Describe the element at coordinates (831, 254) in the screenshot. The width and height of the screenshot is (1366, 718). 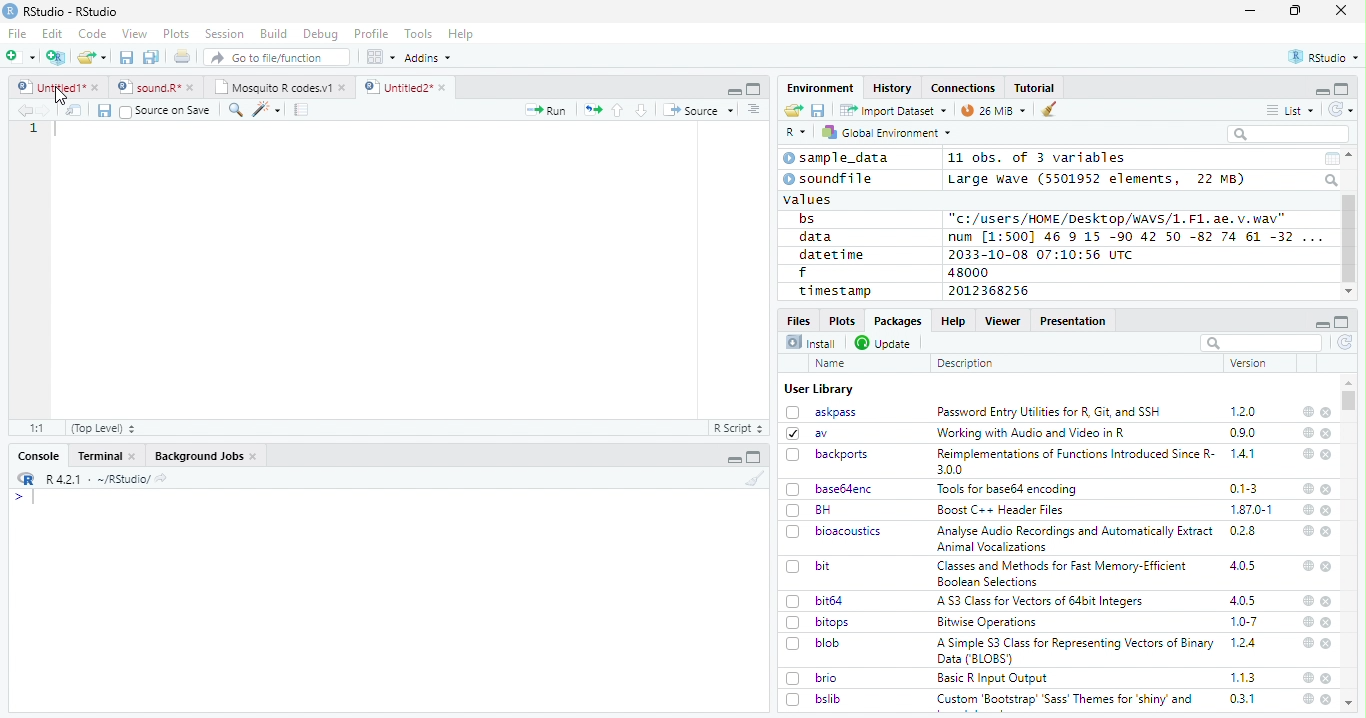
I see `datetime` at that location.